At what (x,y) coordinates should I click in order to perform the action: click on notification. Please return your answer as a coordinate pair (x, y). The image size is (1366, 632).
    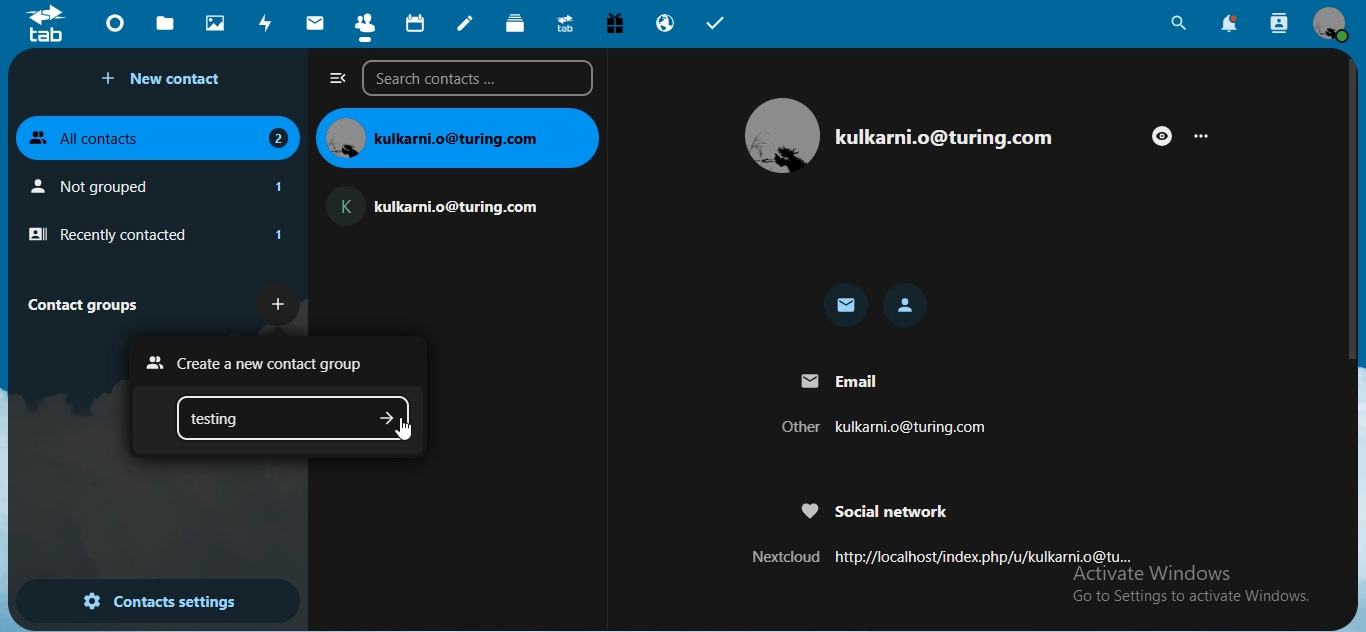
    Looking at the image, I should click on (1231, 24).